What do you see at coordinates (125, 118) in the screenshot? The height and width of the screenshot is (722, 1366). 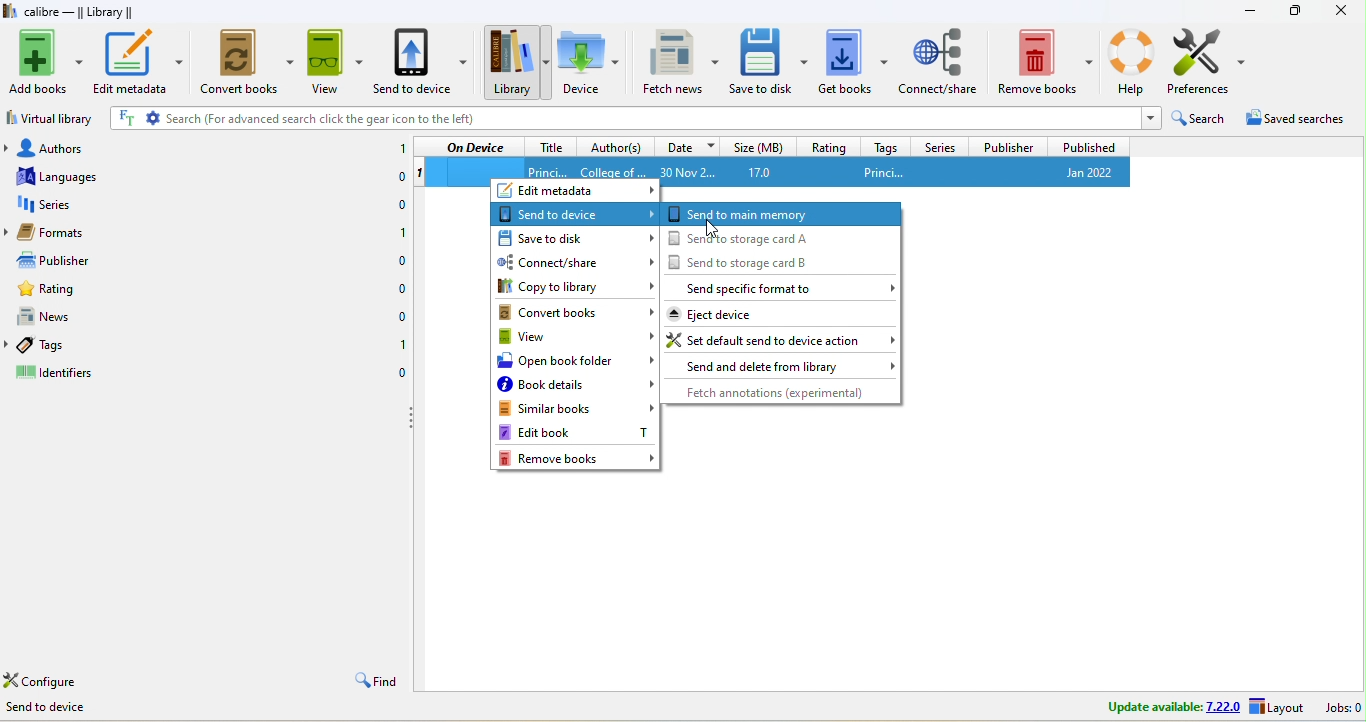 I see `FT` at bounding box center [125, 118].